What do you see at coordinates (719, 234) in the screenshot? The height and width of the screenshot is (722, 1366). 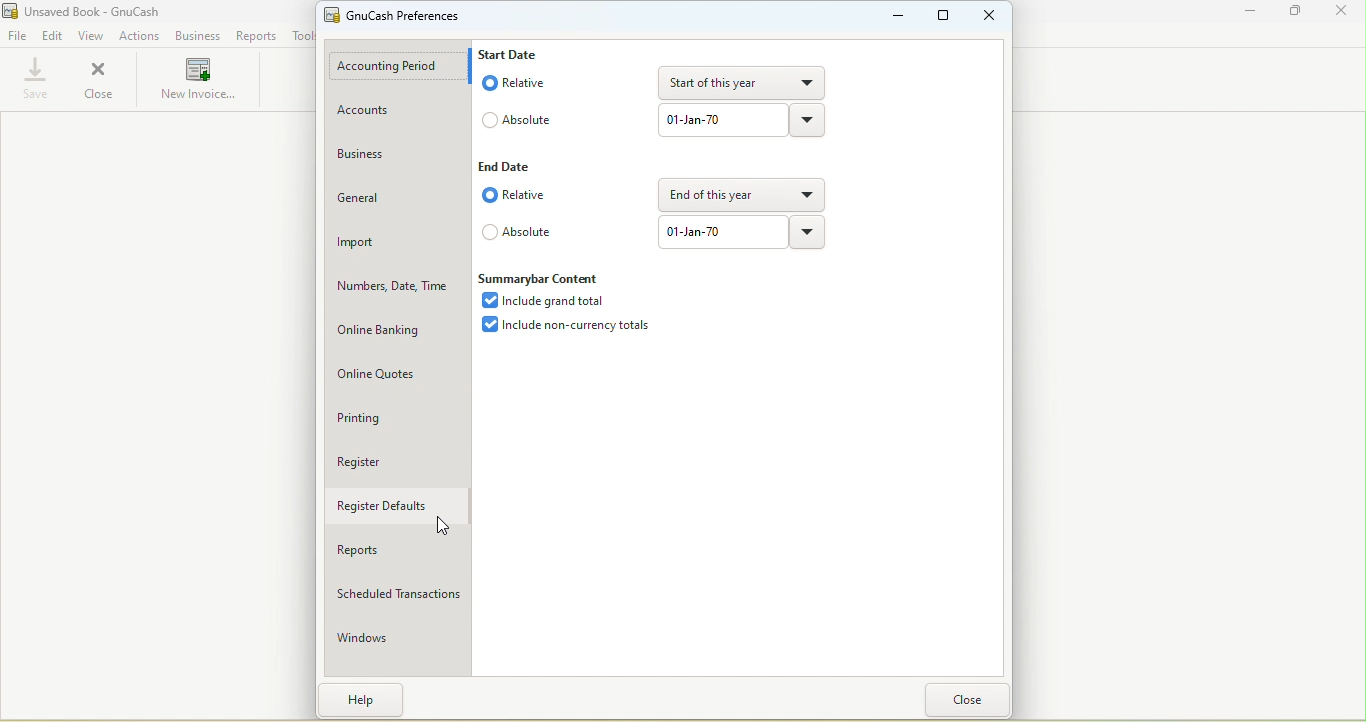 I see `01-jan-70` at bounding box center [719, 234].